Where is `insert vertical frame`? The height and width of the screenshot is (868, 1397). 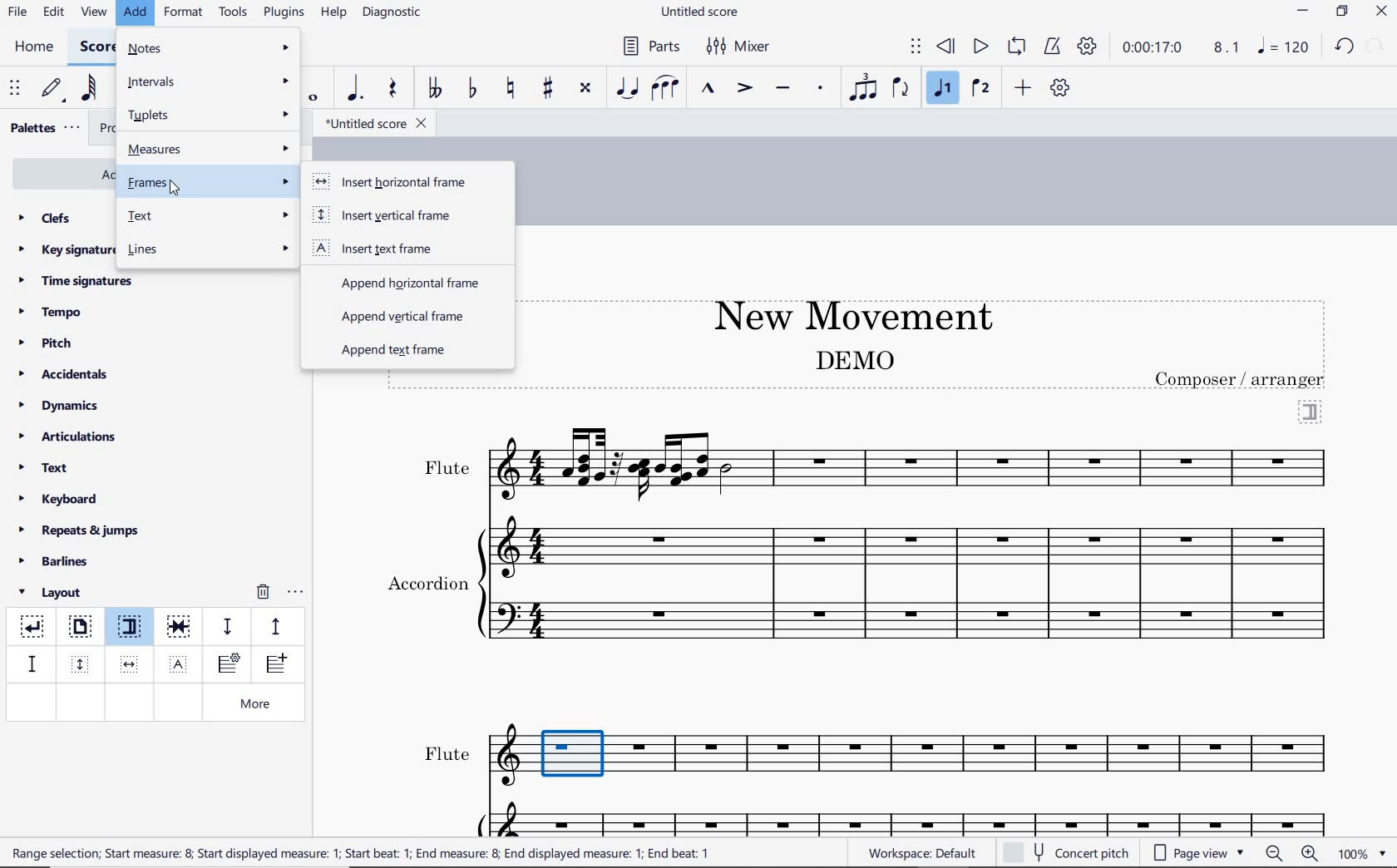
insert vertical frame is located at coordinates (82, 663).